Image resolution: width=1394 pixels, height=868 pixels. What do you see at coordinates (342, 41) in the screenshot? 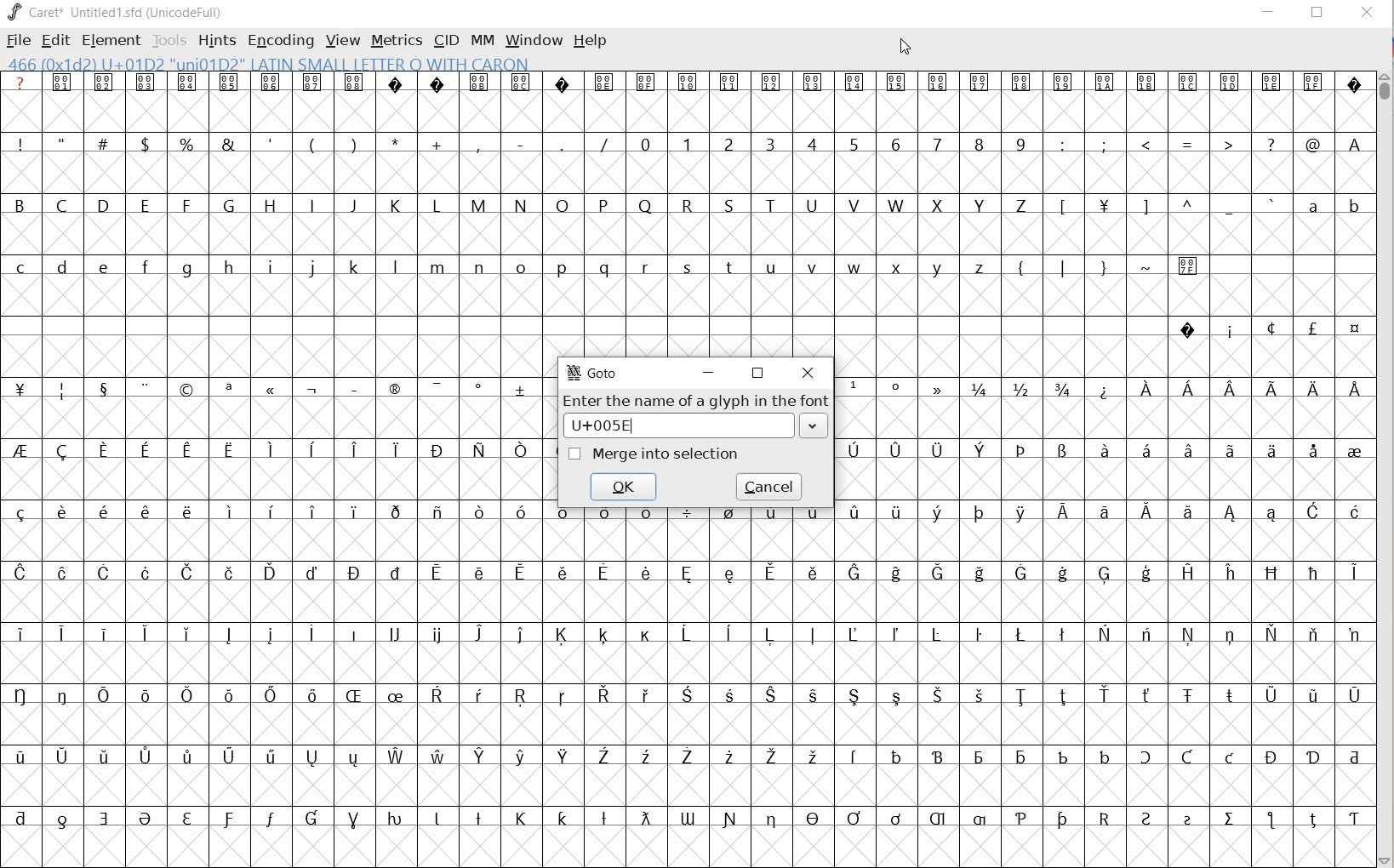
I see `VIEW` at bounding box center [342, 41].